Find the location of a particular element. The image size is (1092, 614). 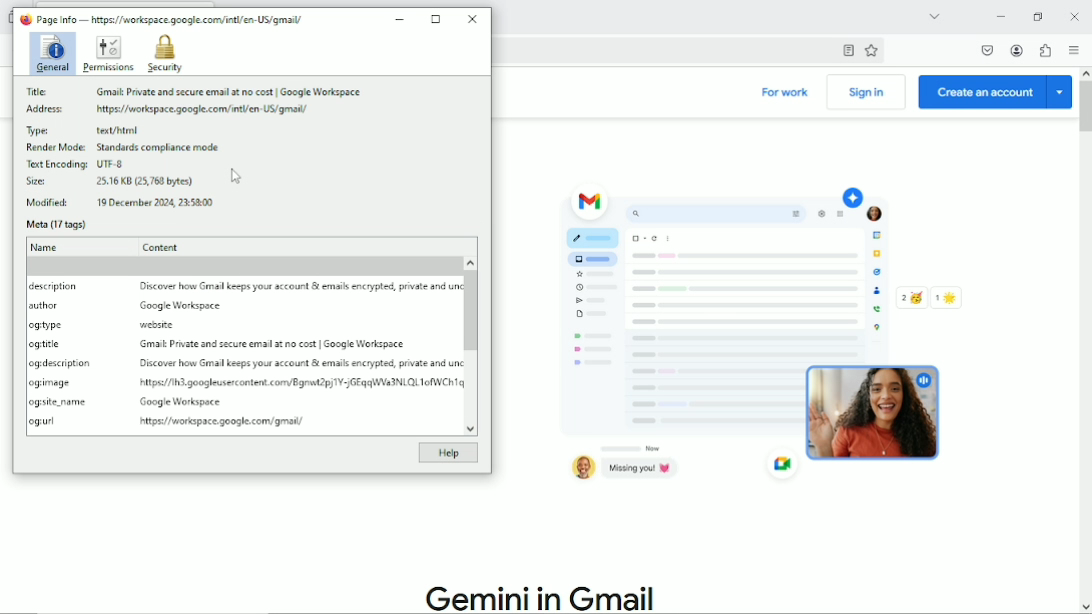

Render mode is located at coordinates (55, 148).